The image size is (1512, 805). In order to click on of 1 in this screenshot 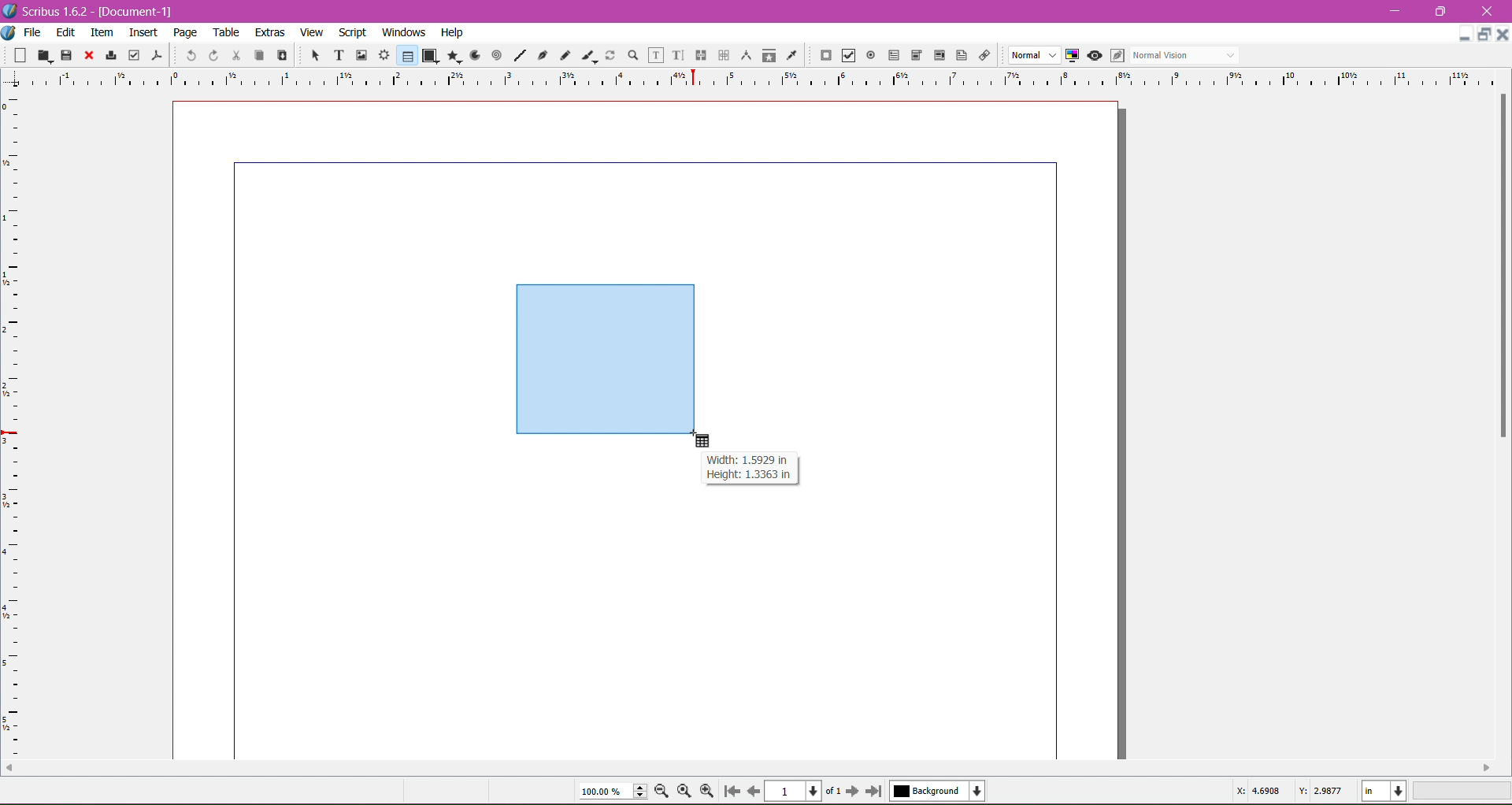, I will do `click(832, 789)`.